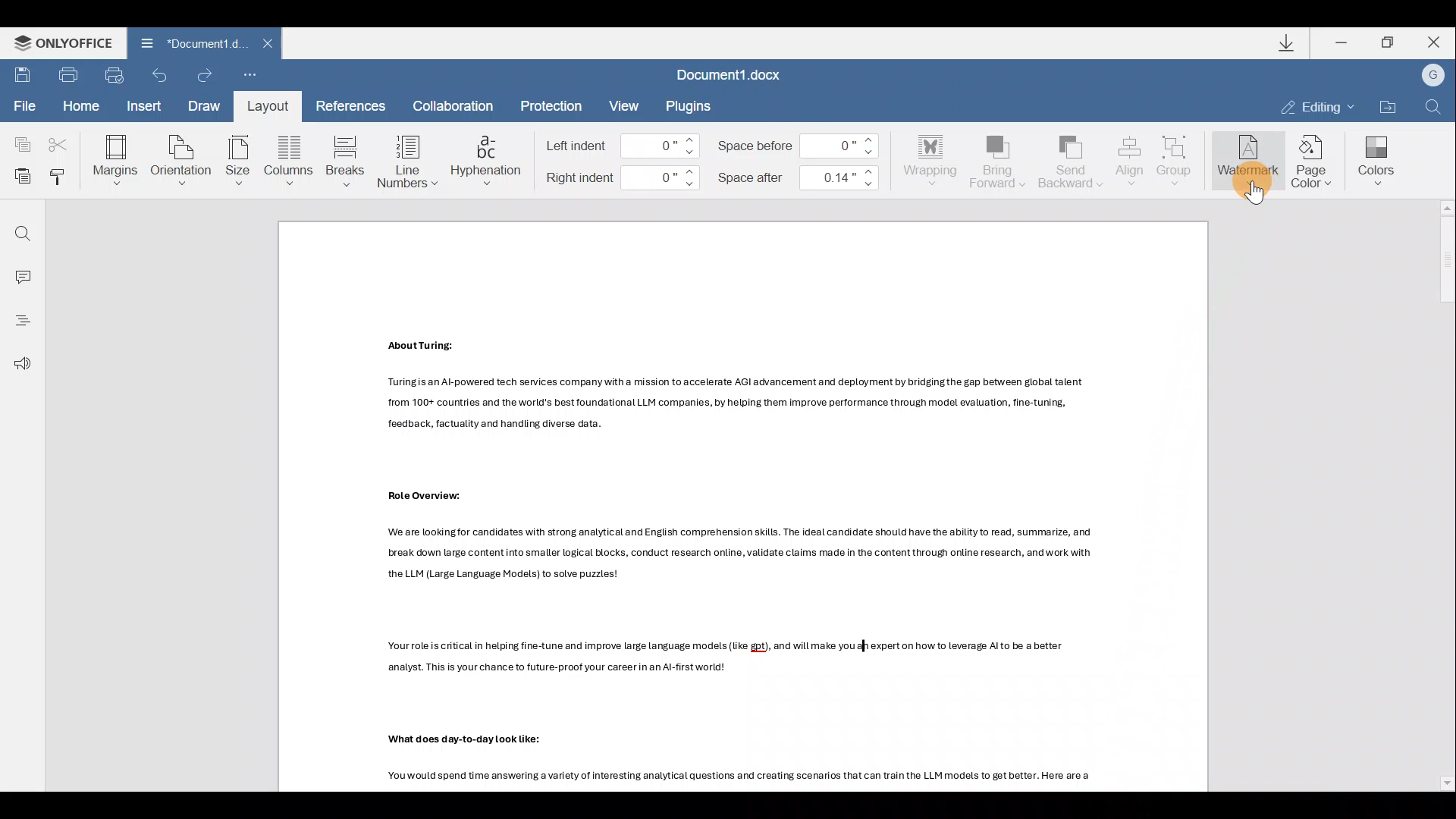  I want to click on Customize quick access toolbar, so click(246, 76).